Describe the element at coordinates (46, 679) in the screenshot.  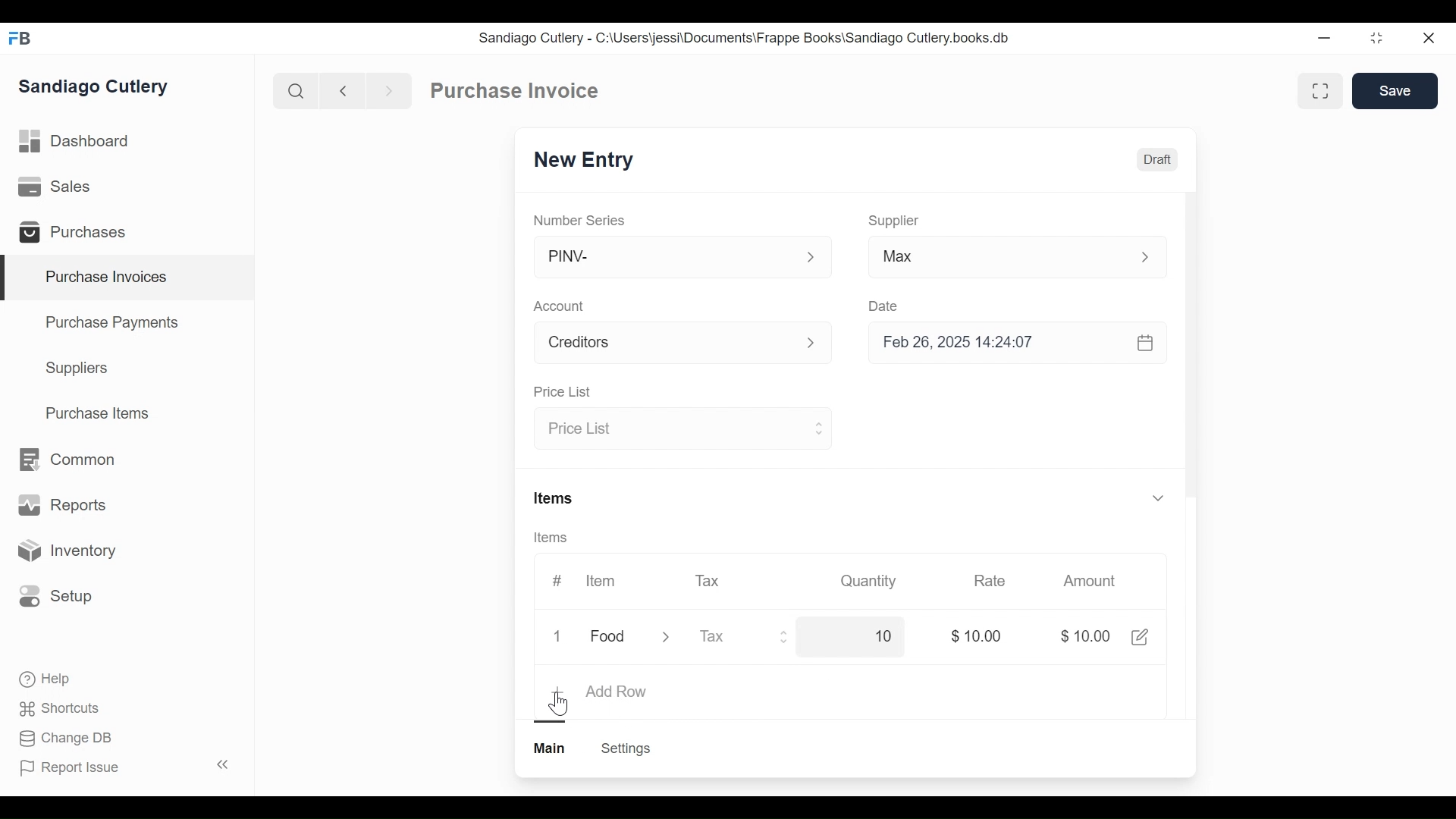
I see `Help` at that location.